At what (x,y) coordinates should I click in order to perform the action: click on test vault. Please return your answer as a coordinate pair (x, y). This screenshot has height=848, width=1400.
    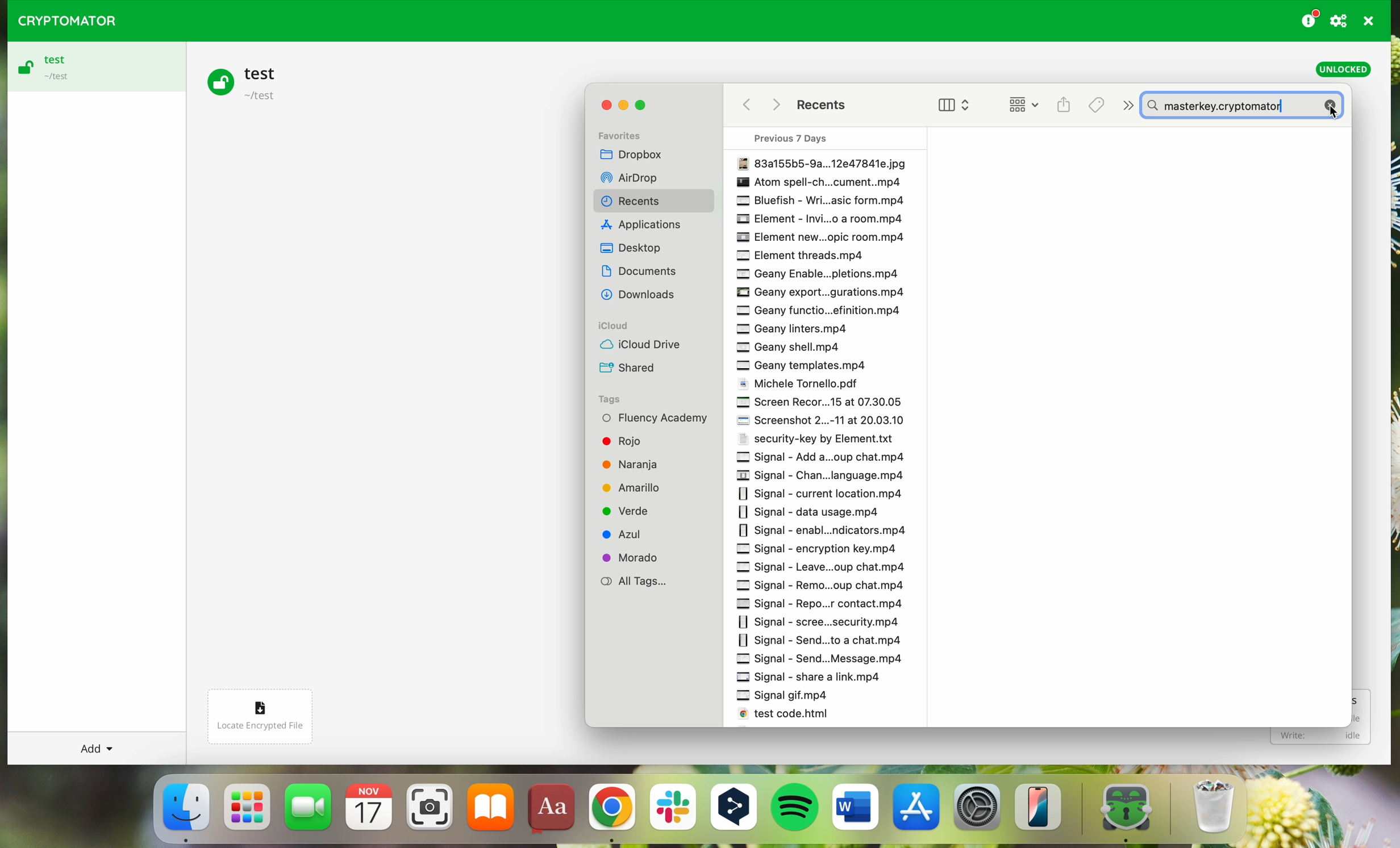
    Looking at the image, I should click on (93, 67).